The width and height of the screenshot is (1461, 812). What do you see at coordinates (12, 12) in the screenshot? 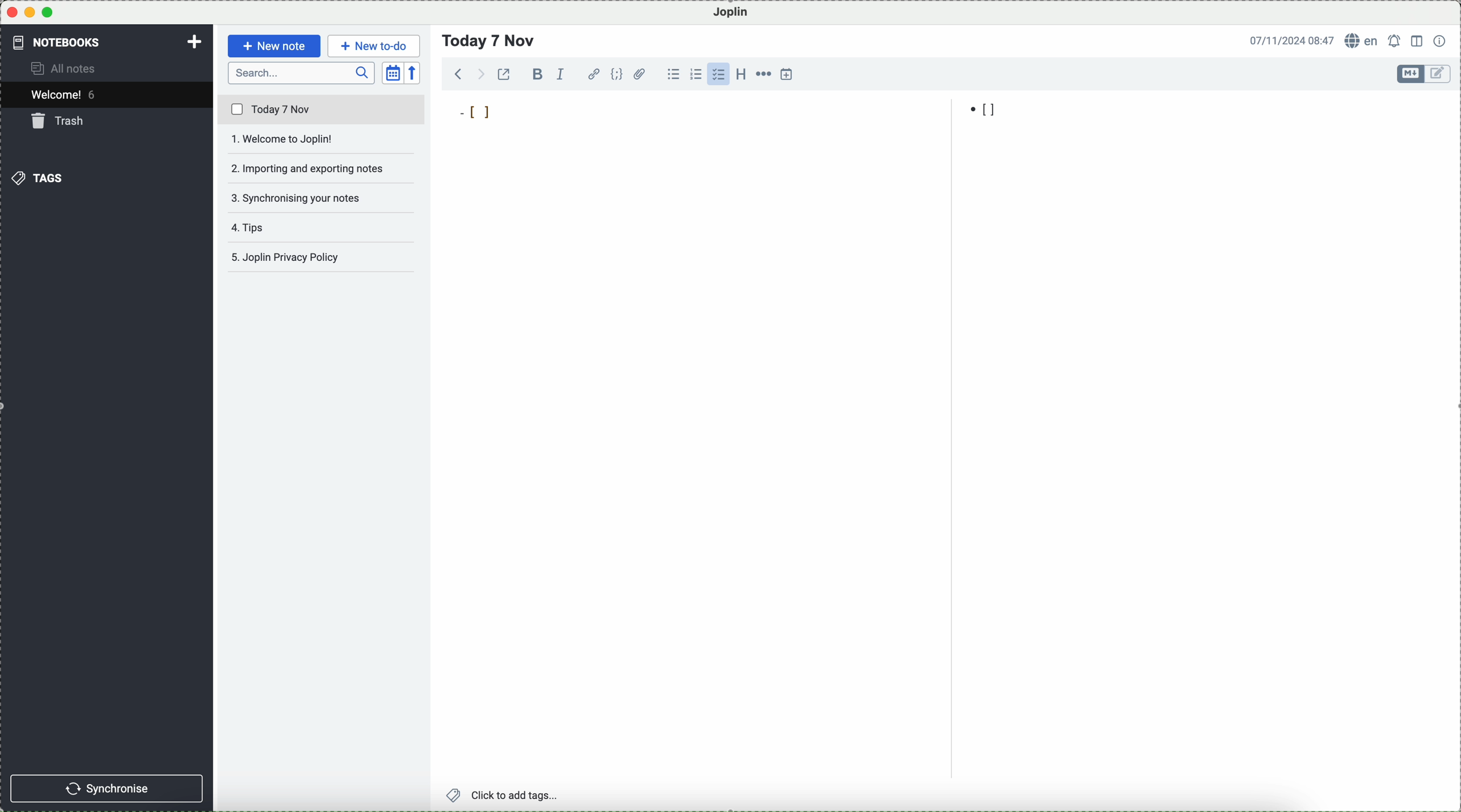
I see `close` at bounding box center [12, 12].